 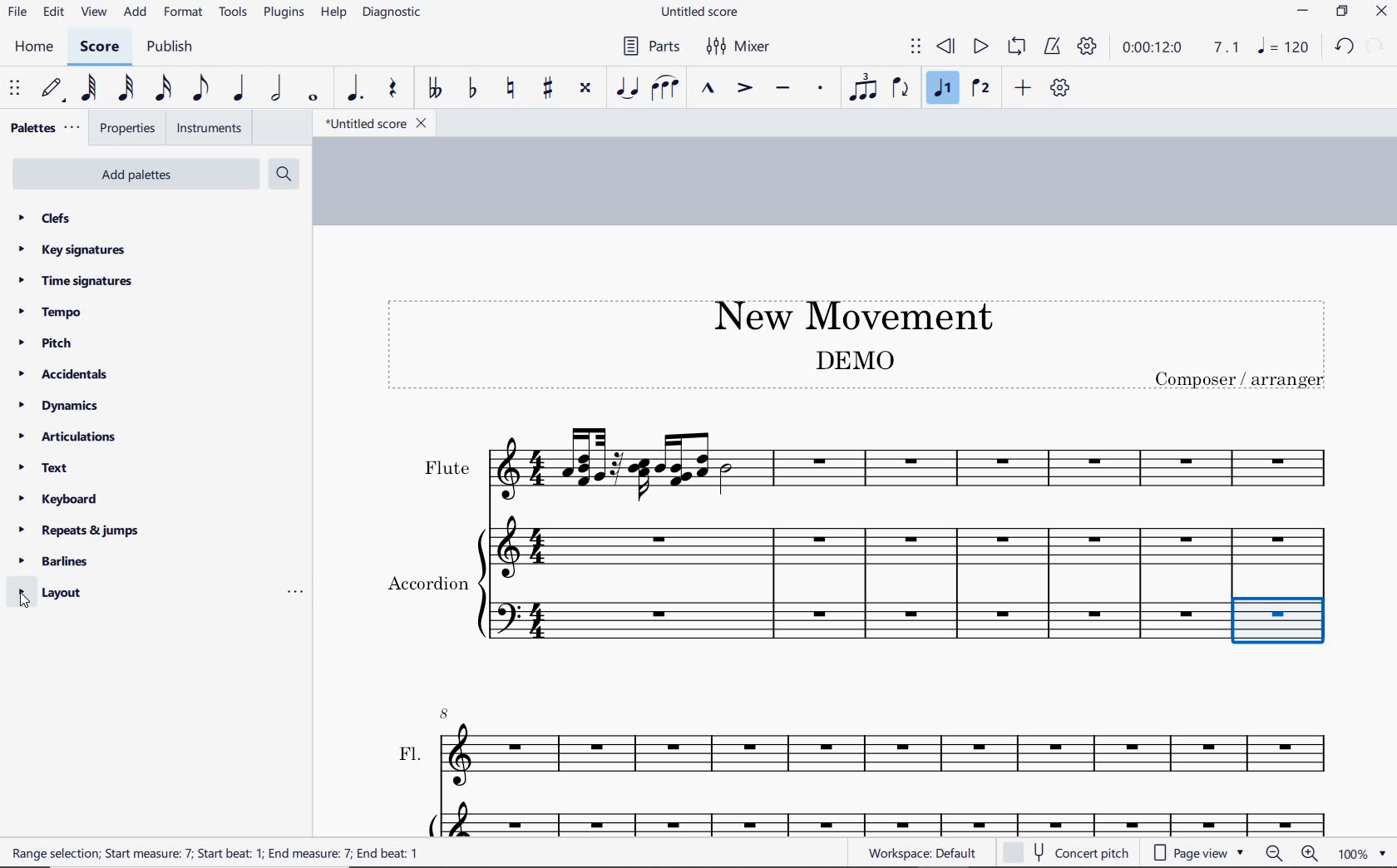 I want to click on barlines, so click(x=59, y=562).